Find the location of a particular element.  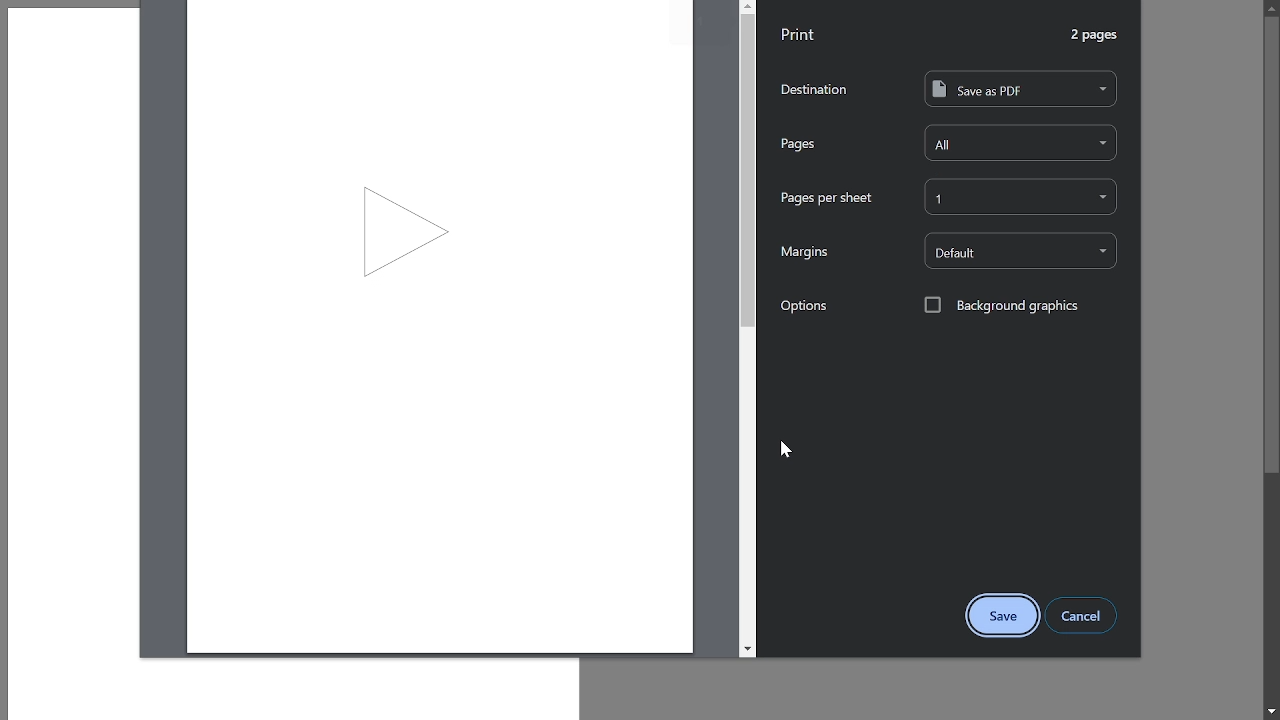

Margins is located at coordinates (803, 252).